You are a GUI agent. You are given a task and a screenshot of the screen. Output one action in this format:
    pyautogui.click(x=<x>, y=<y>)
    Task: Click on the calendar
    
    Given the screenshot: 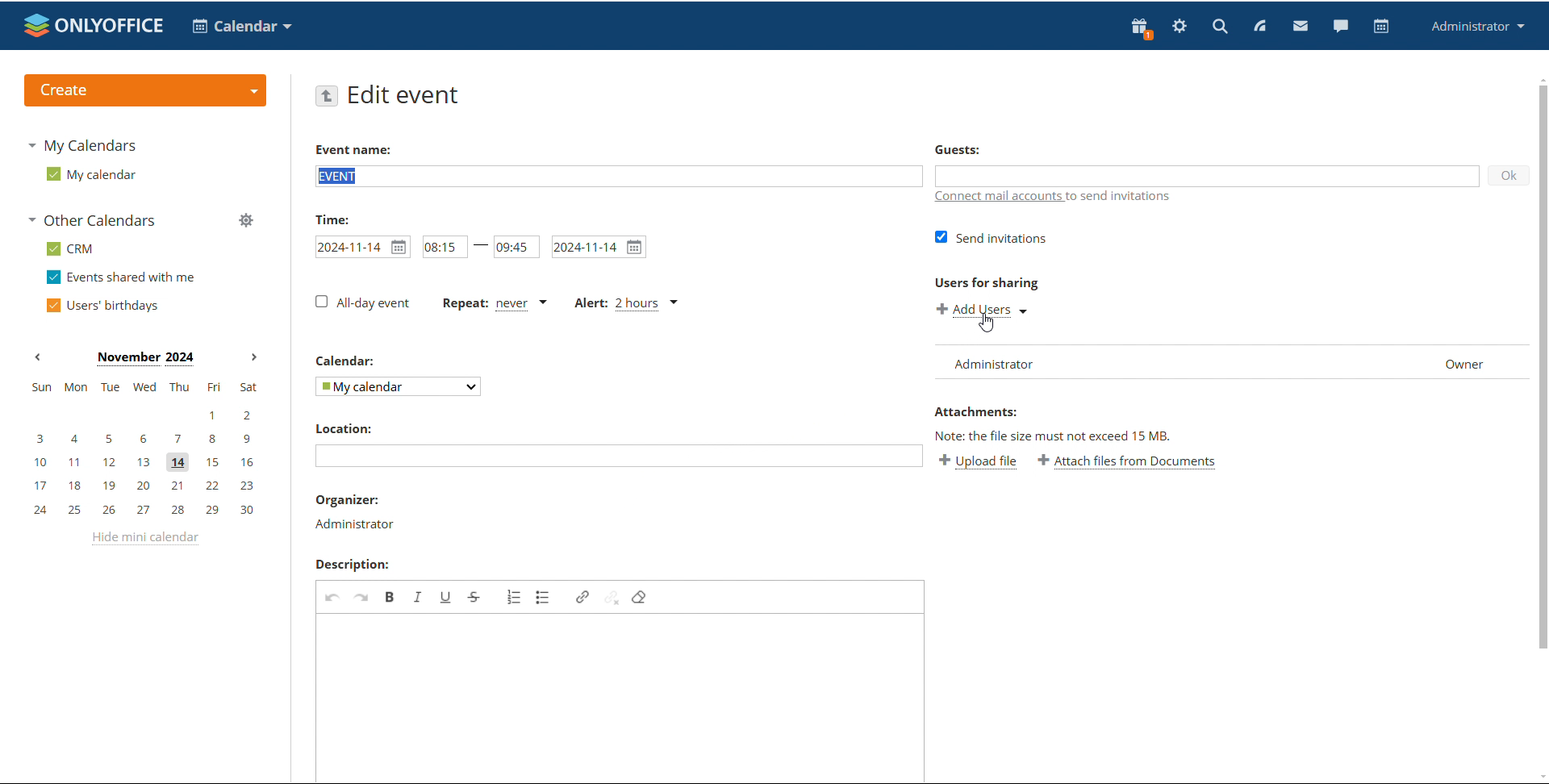 What is the action you would take?
    pyautogui.click(x=1382, y=27)
    